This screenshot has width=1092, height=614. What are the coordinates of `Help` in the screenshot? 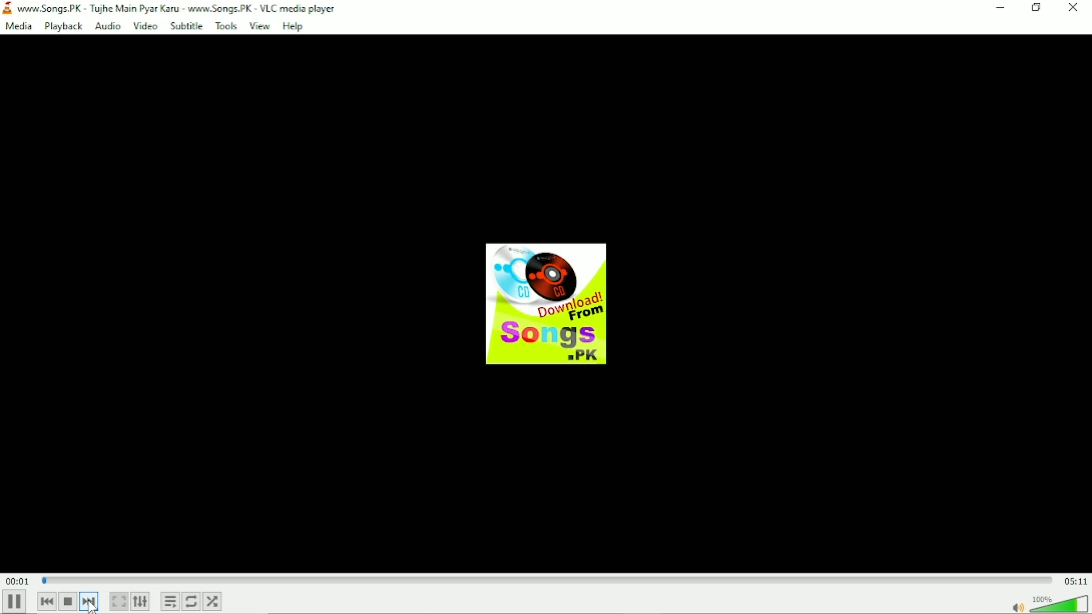 It's located at (294, 25).